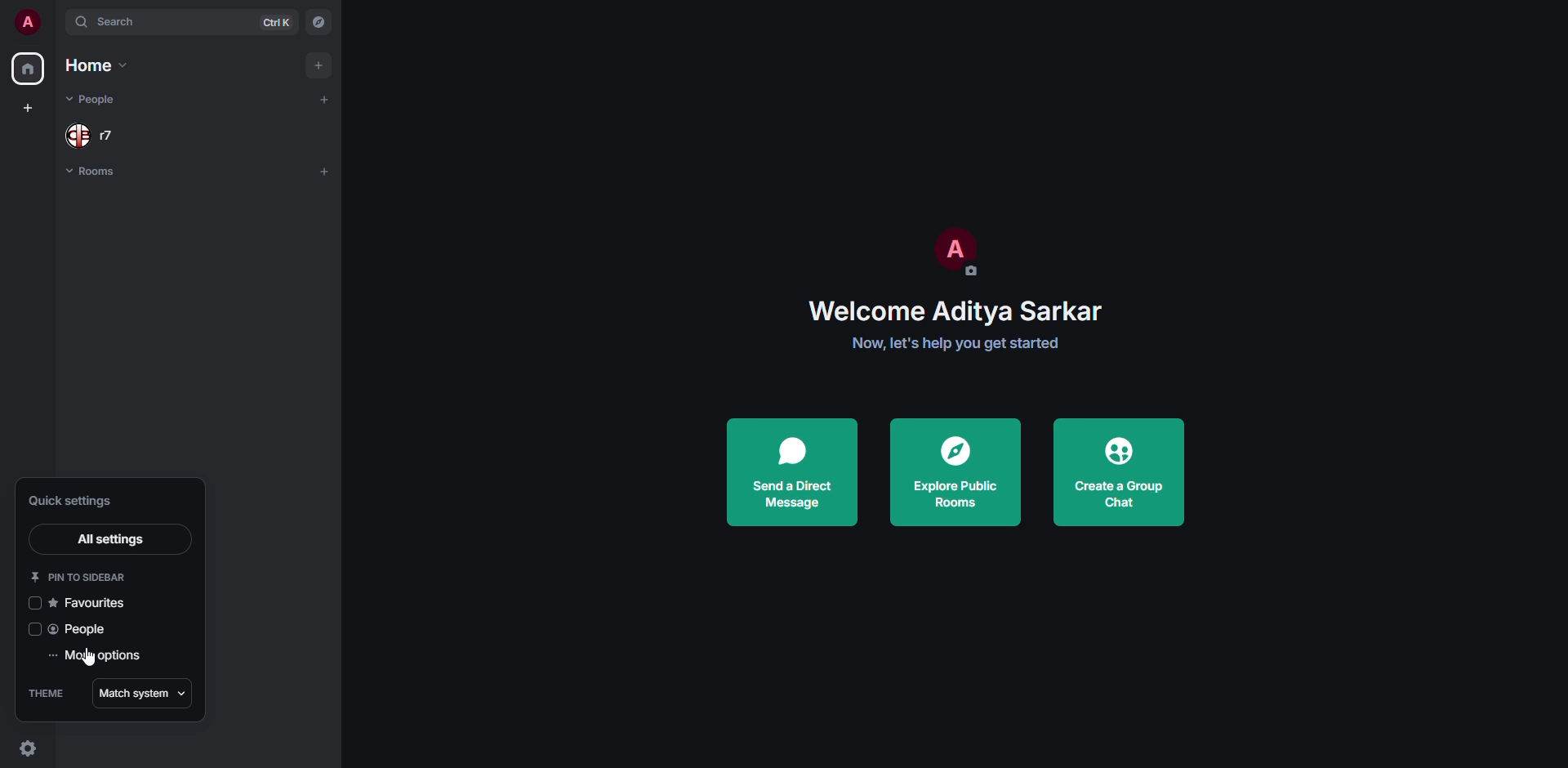 This screenshot has width=1568, height=768. I want to click on profile, so click(26, 26).